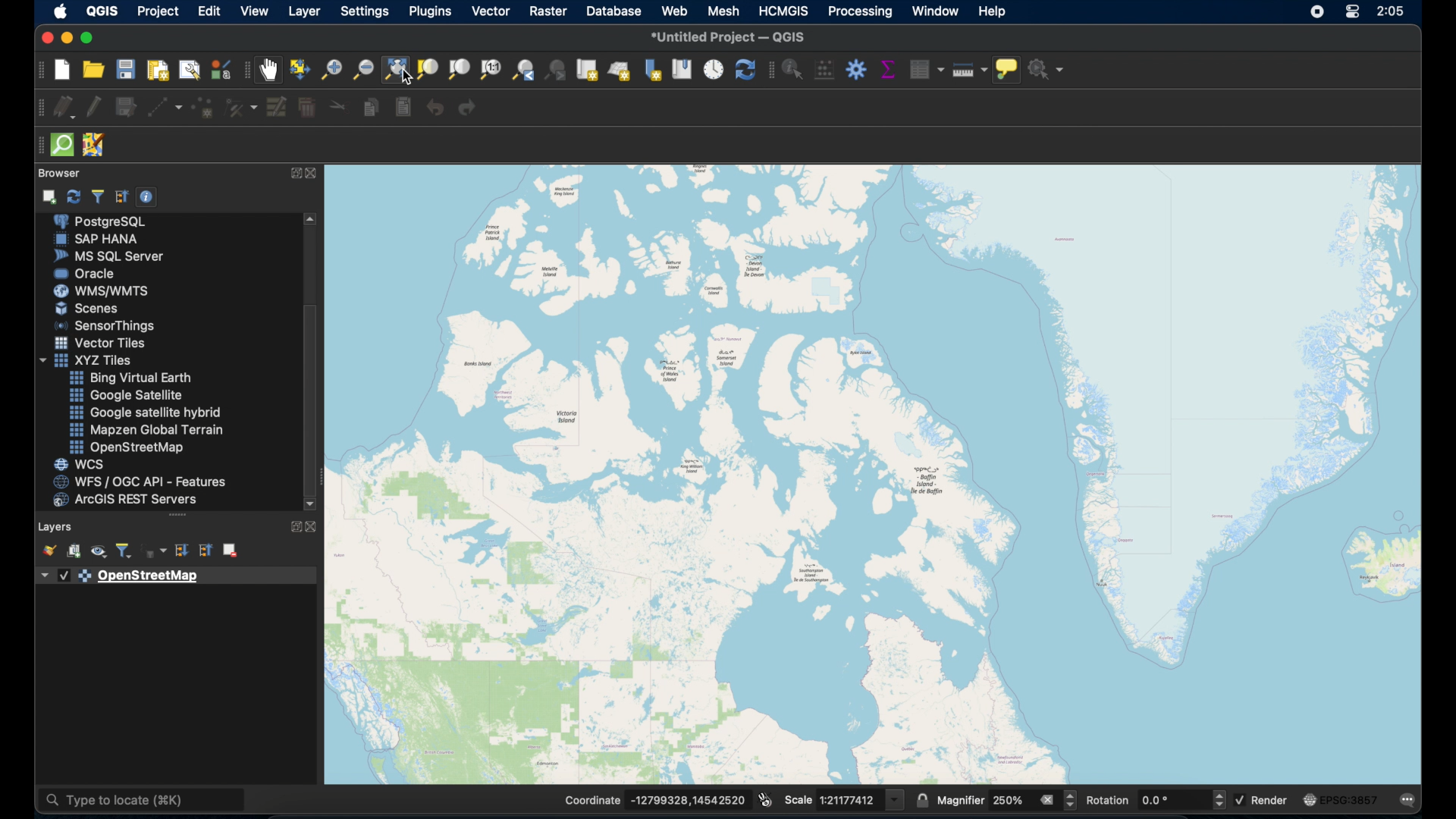 Image resolution: width=1456 pixels, height=819 pixels. Describe the element at coordinates (290, 527) in the screenshot. I see `expand` at that location.